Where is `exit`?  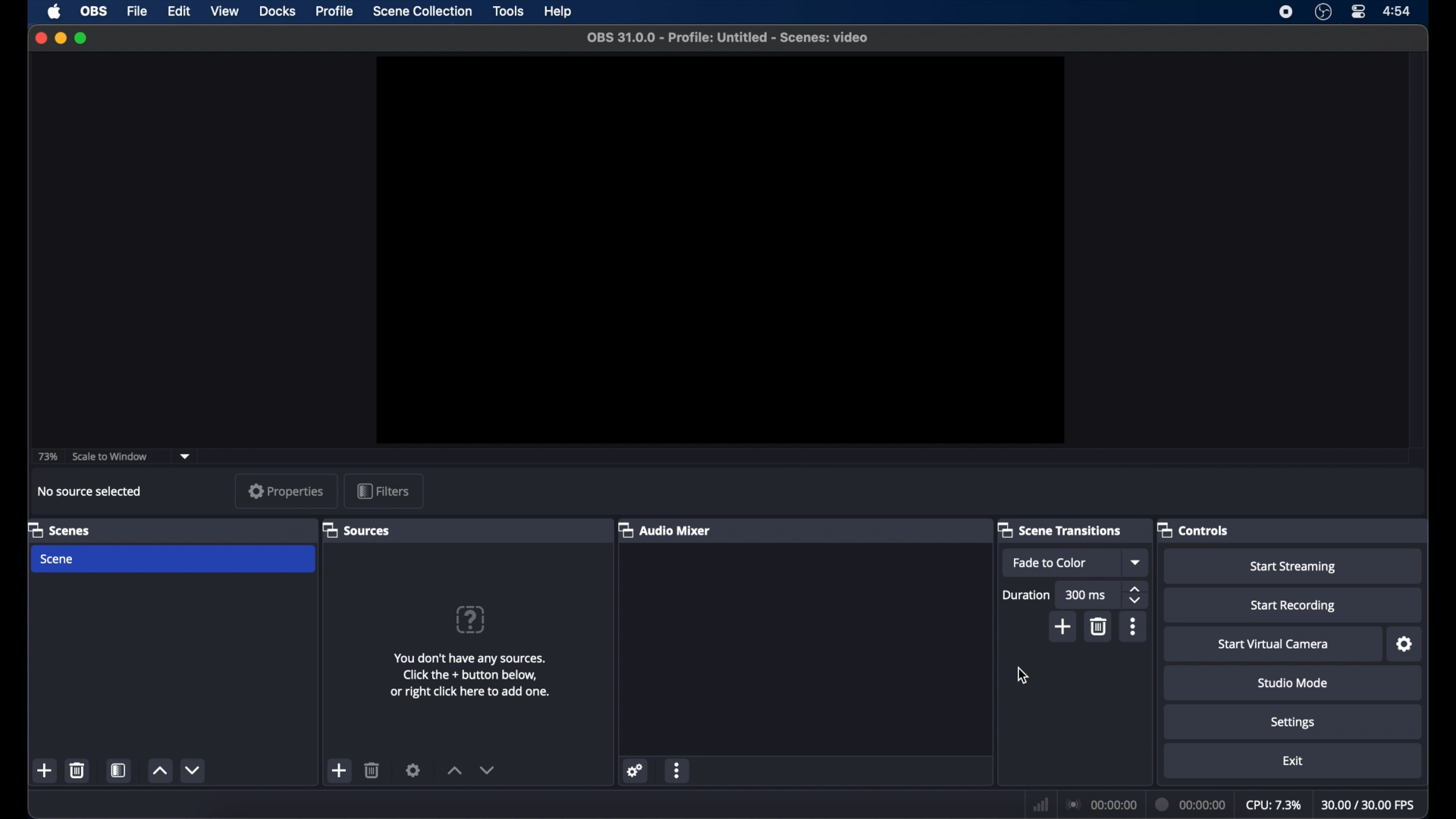 exit is located at coordinates (1294, 761).